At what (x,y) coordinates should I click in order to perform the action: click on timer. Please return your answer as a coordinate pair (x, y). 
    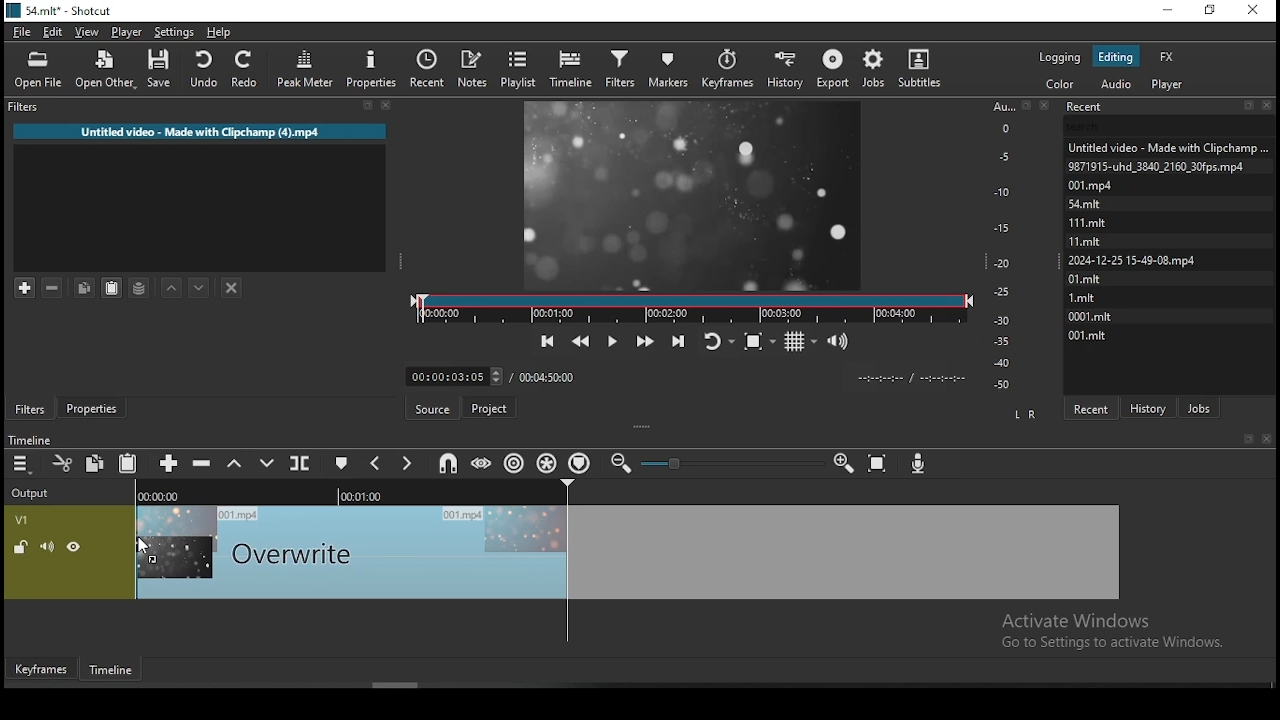
    Looking at the image, I should click on (907, 378).